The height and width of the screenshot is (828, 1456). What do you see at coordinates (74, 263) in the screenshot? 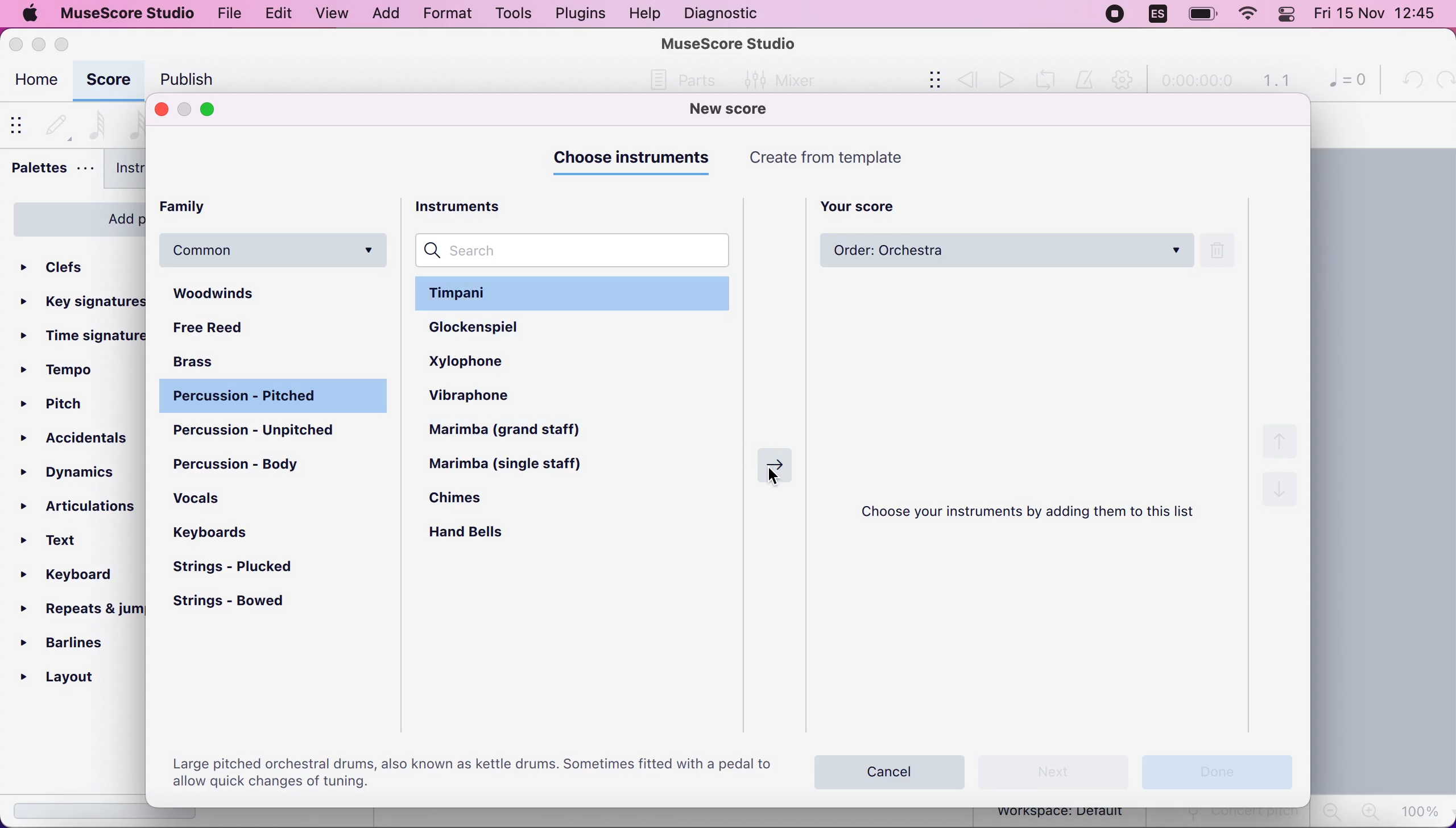
I see `clefs` at bounding box center [74, 263].